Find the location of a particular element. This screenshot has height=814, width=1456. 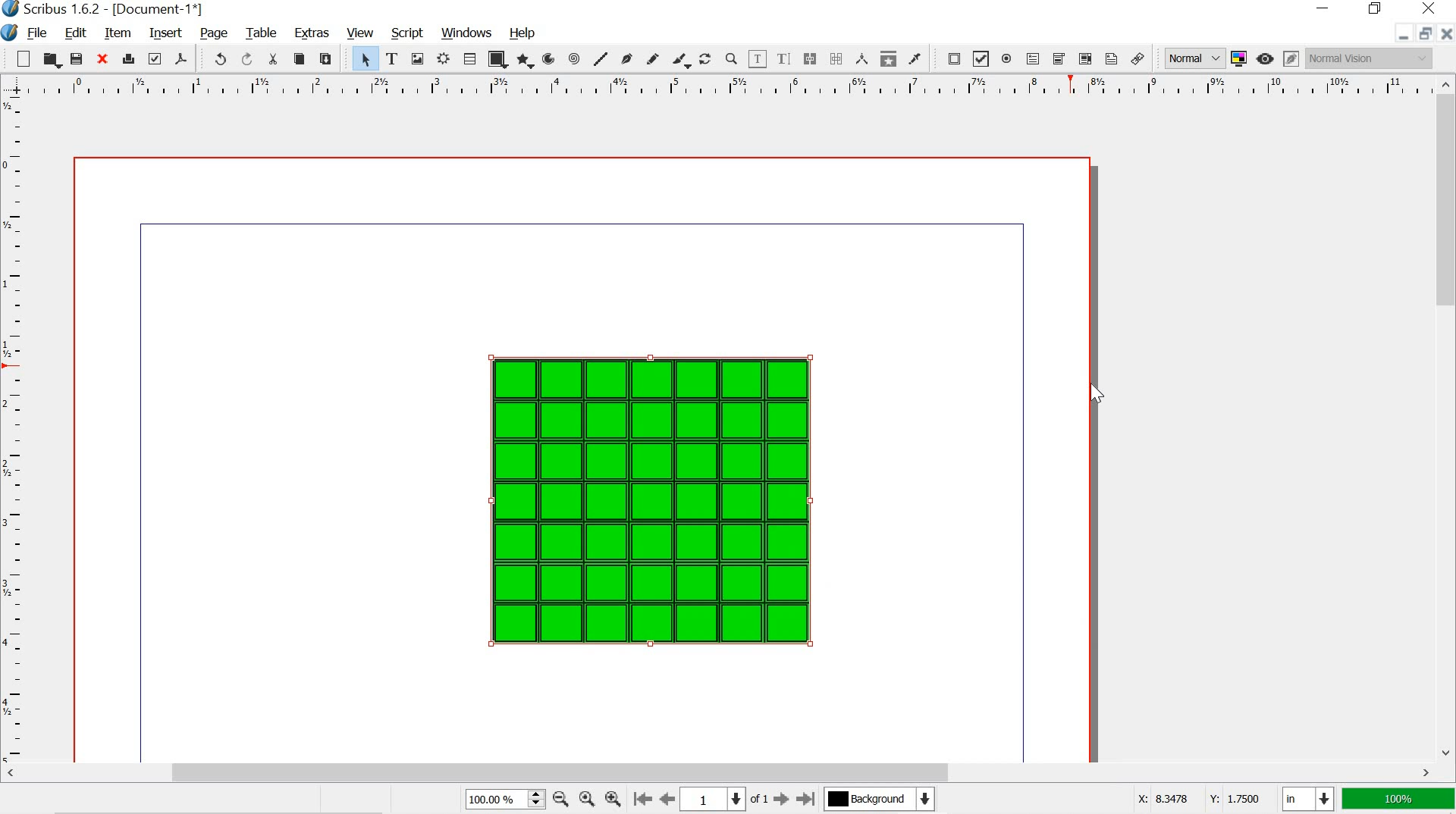

paste is located at coordinates (331, 61).